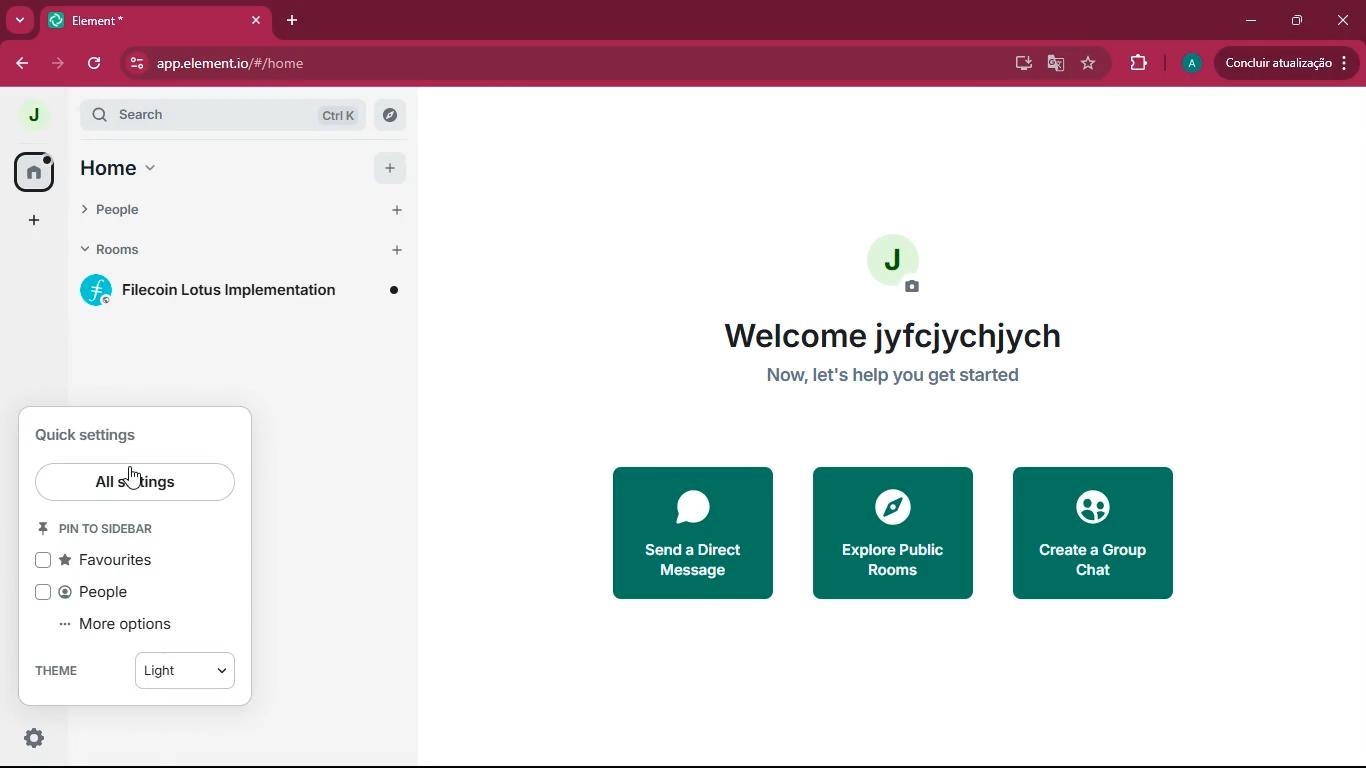  What do you see at coordinates (120, 626) in the screenshot?
I see `more options` at bounding box center [120, 626].